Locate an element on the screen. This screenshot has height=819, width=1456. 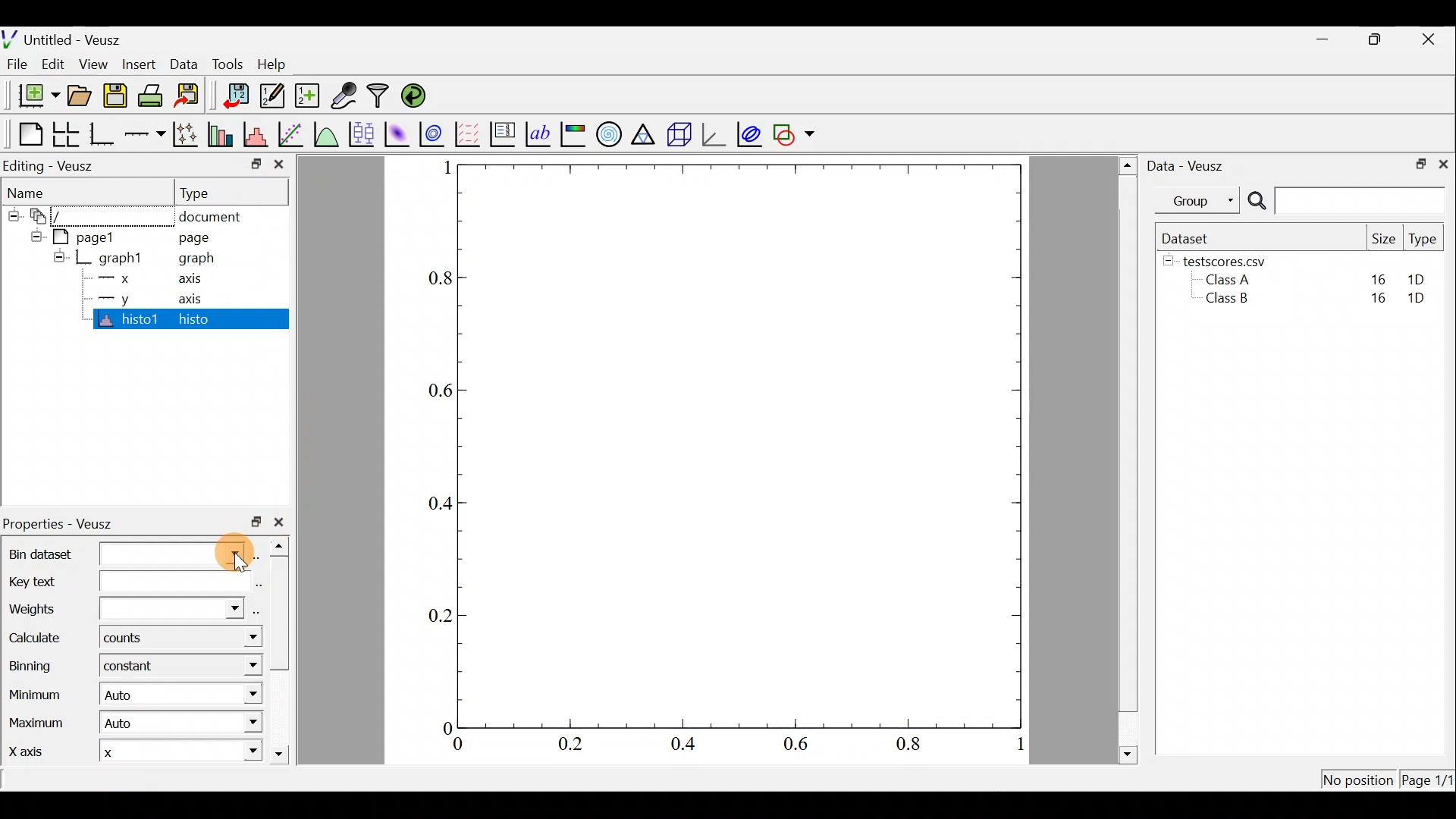
Close is located at coordinates (1432, 38).